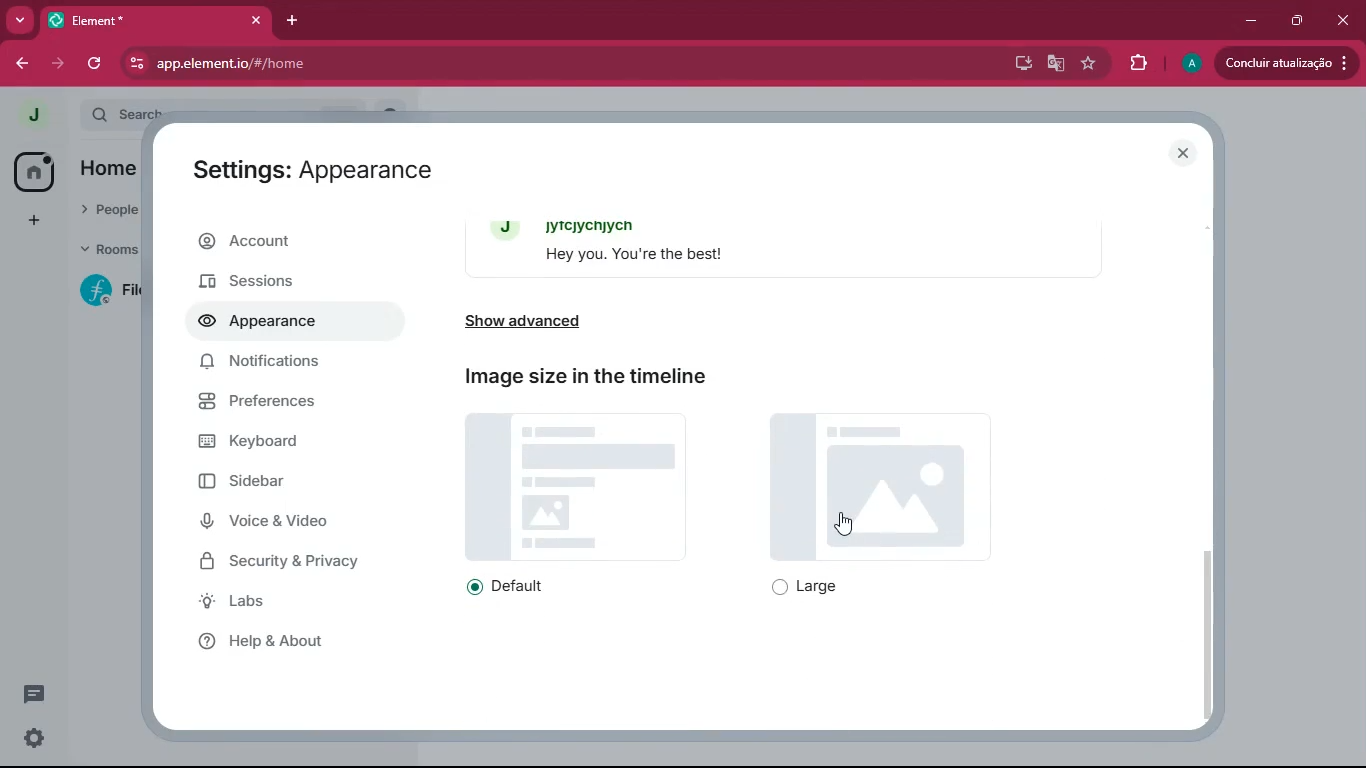  Describe the element at coordinates (271, 365) in the screenshot. I see `notifications` at that location.